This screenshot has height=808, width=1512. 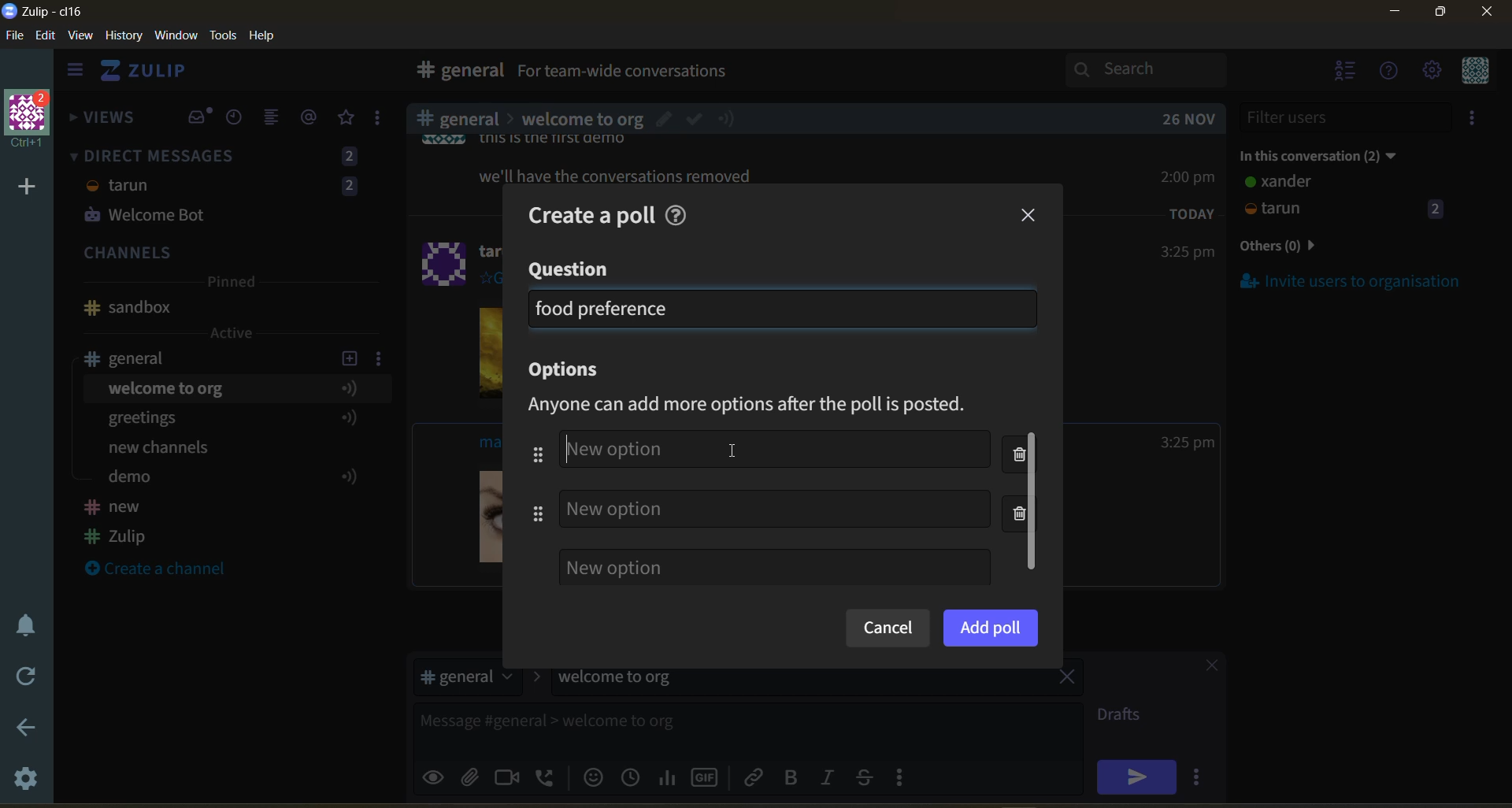 What do you see at coordinates (278, 120) in the screenshot?
I see `combined feed` at bounding box center [278, 120].